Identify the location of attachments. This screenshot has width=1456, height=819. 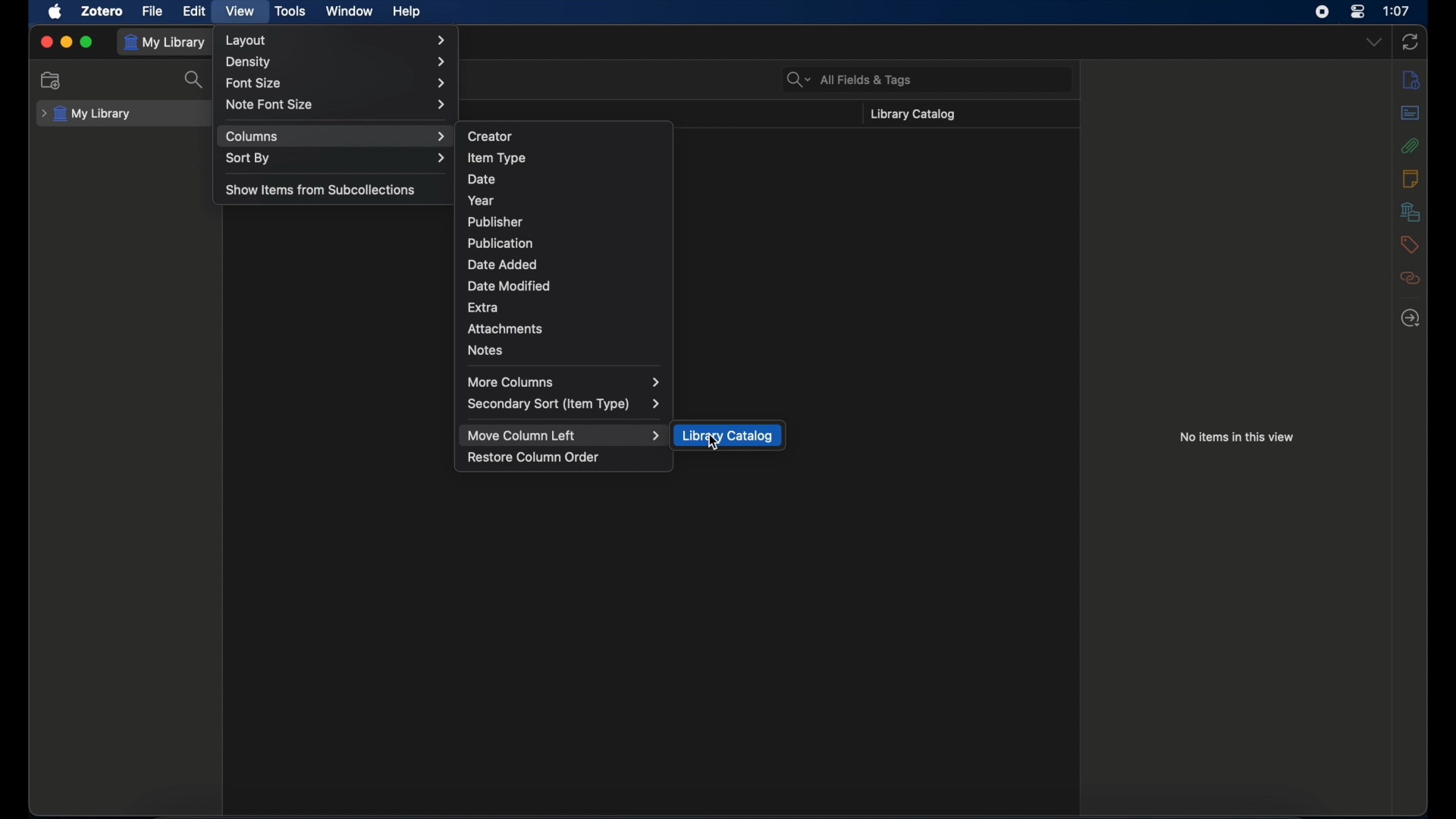
(504, 329).